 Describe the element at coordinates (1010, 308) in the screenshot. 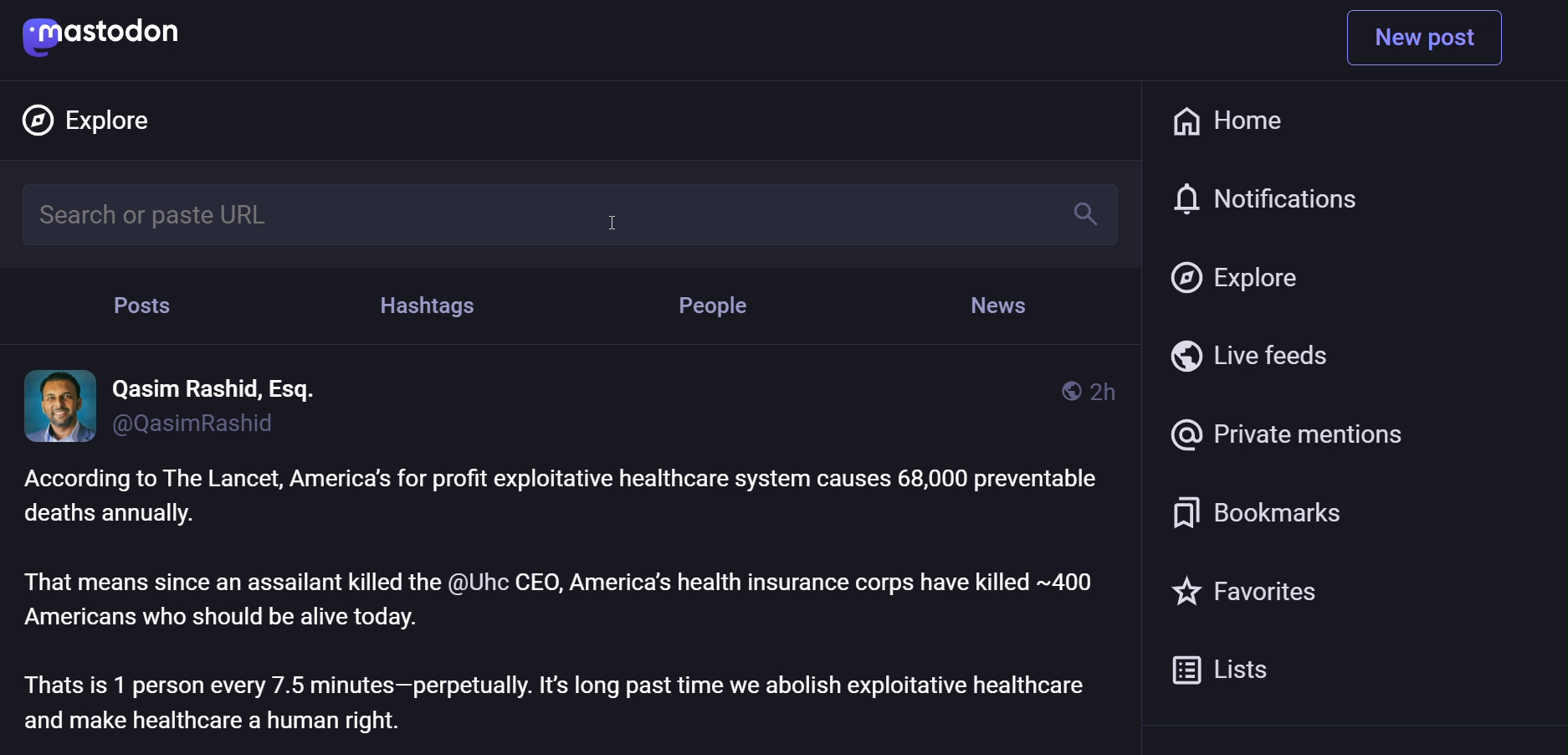

I see `news` at that location.